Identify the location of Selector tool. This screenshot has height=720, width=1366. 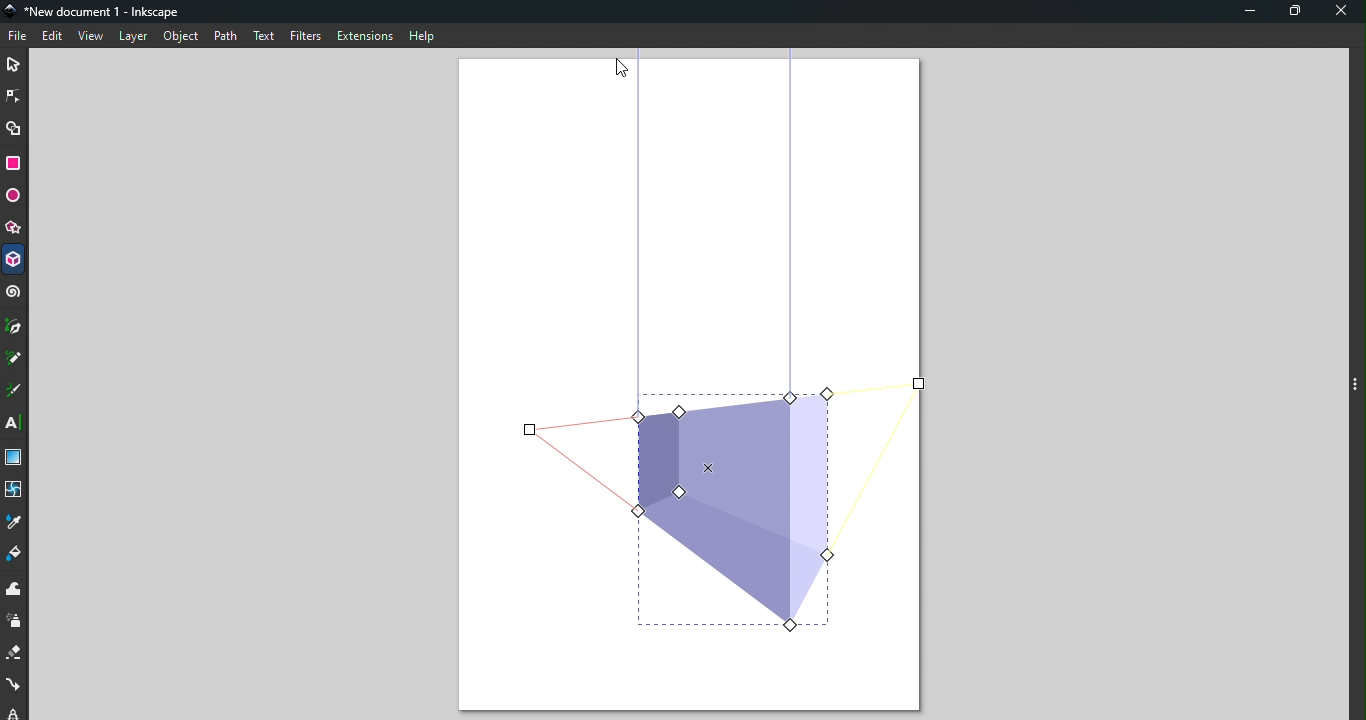
(16, 64).